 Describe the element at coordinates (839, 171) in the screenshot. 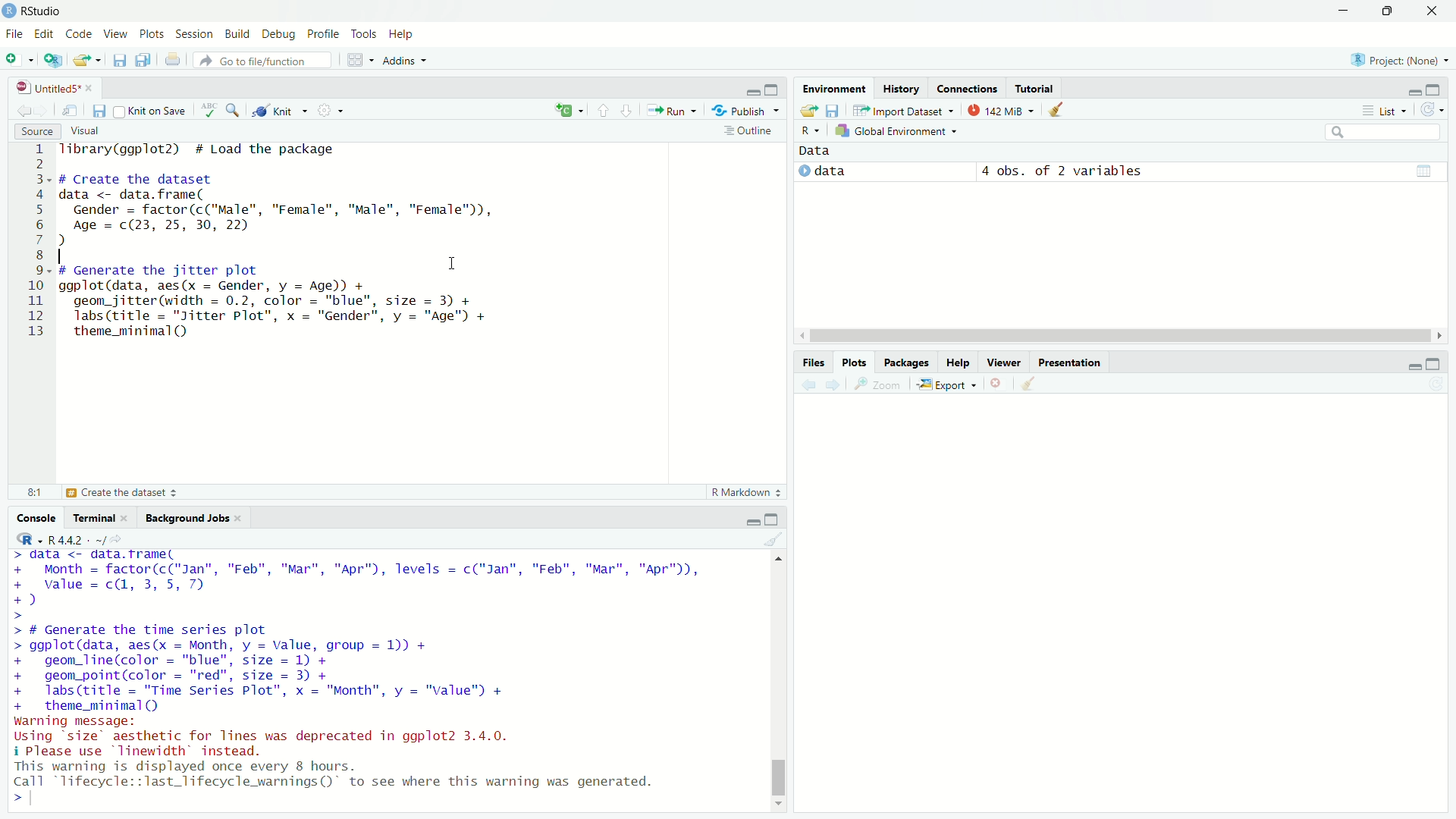

I see `data` at that location.